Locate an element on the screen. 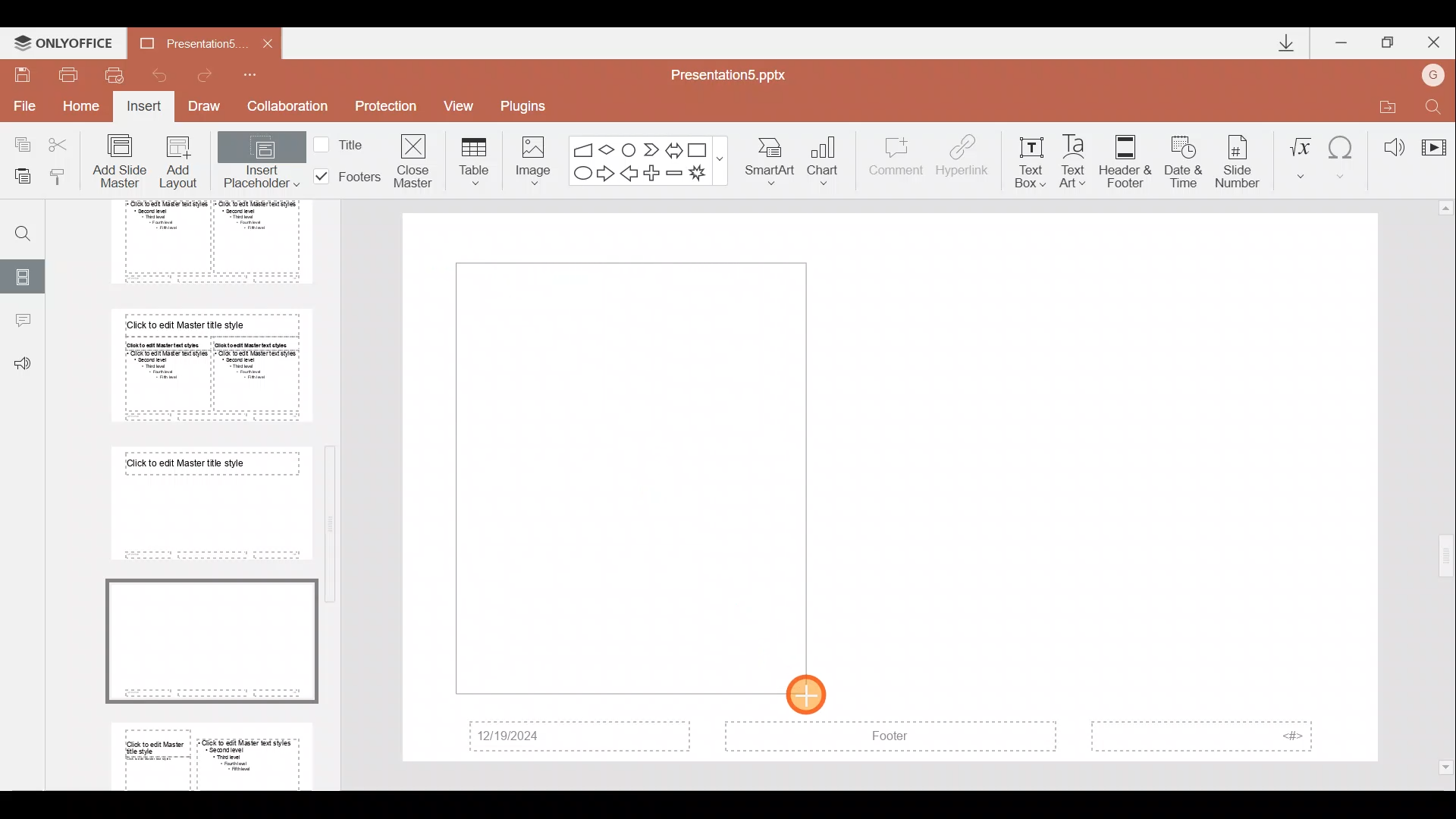  Hyperlink is located at coordinates (964, 158).